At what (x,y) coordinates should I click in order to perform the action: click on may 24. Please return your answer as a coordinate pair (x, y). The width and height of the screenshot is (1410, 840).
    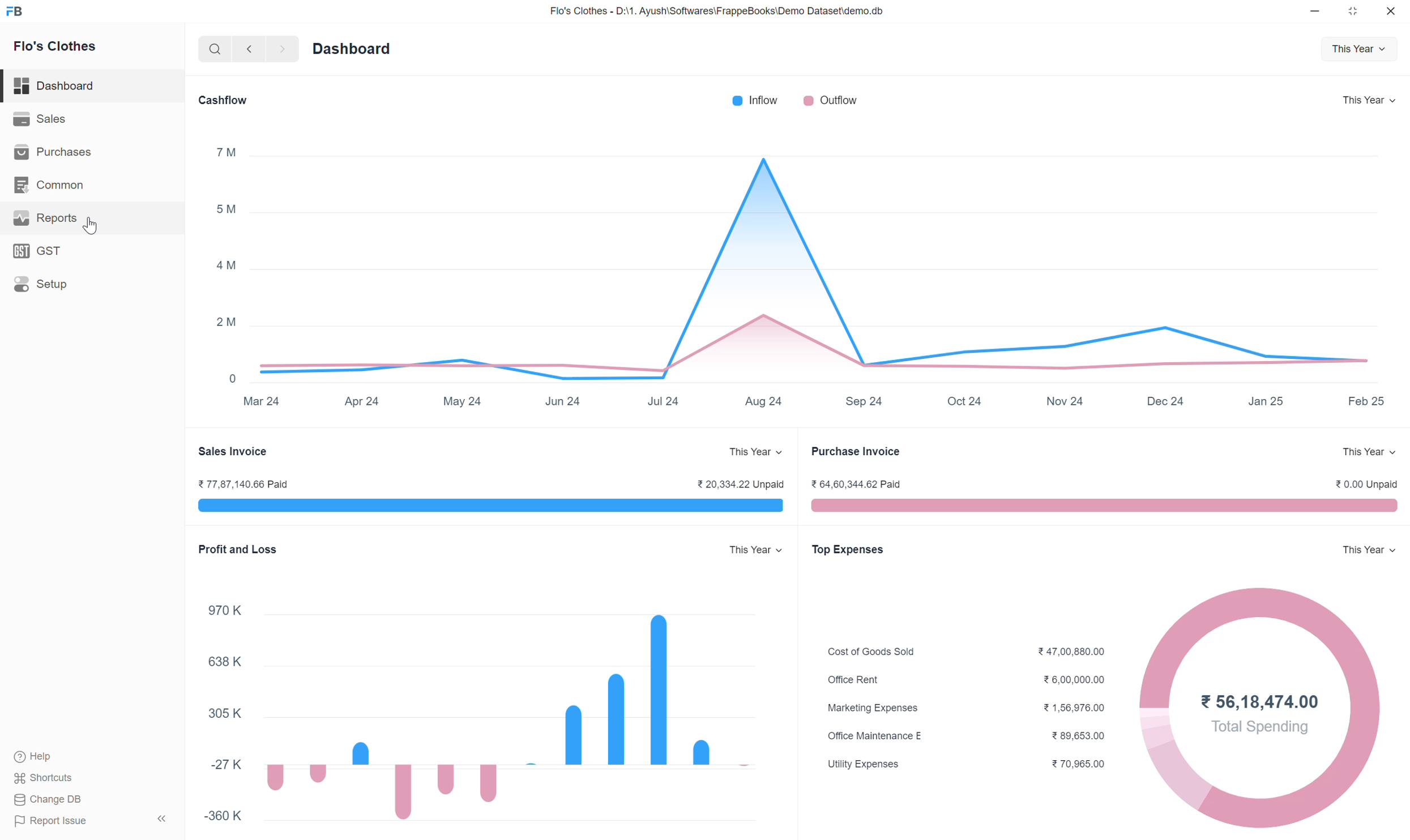
    Looking at the image, I should click on (464, 402).